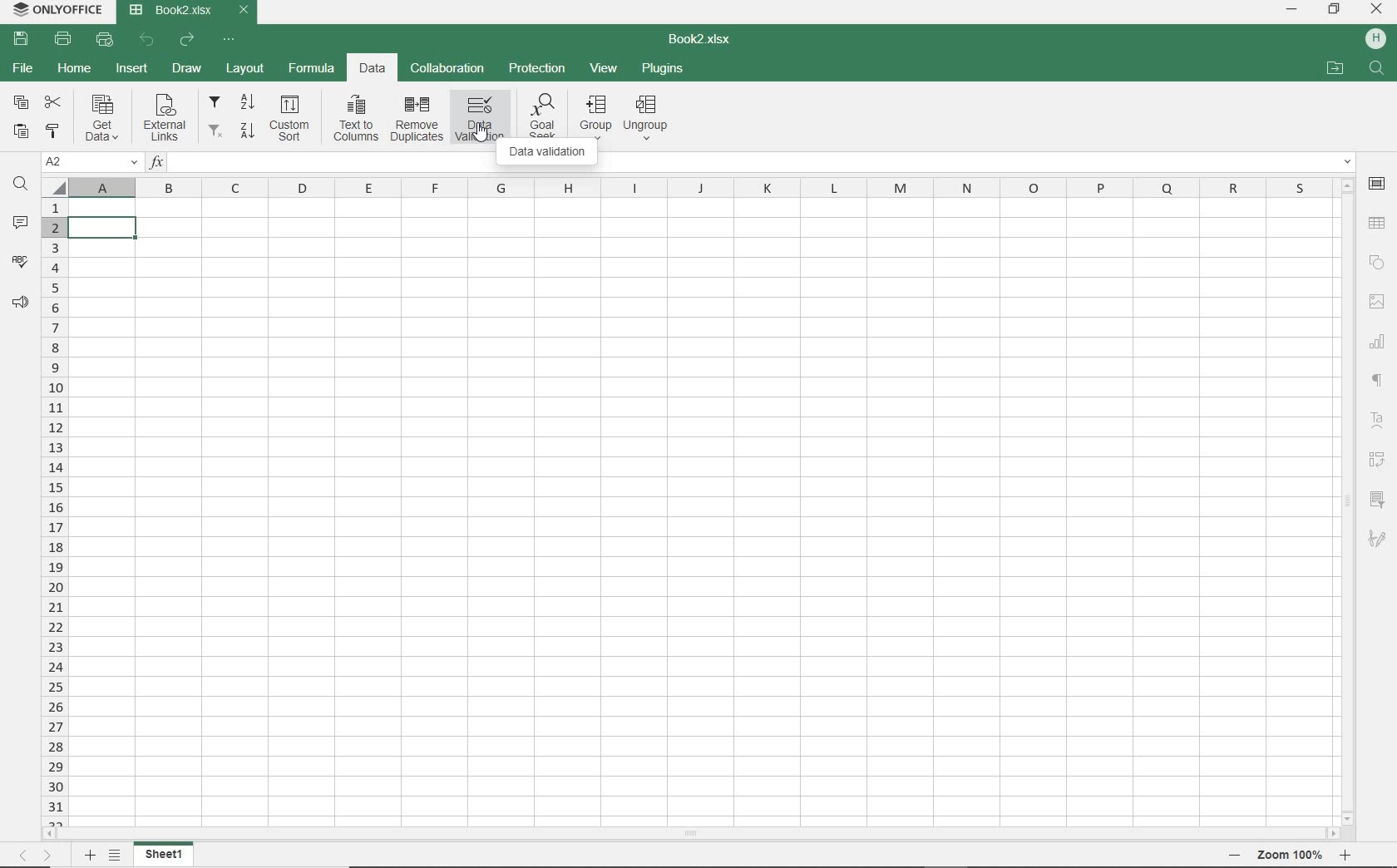 The height and width of the screenshot is (868, 1397). Describe the element at coordinates (63, 40) in the screenshot. I see `PRINT` at that location.